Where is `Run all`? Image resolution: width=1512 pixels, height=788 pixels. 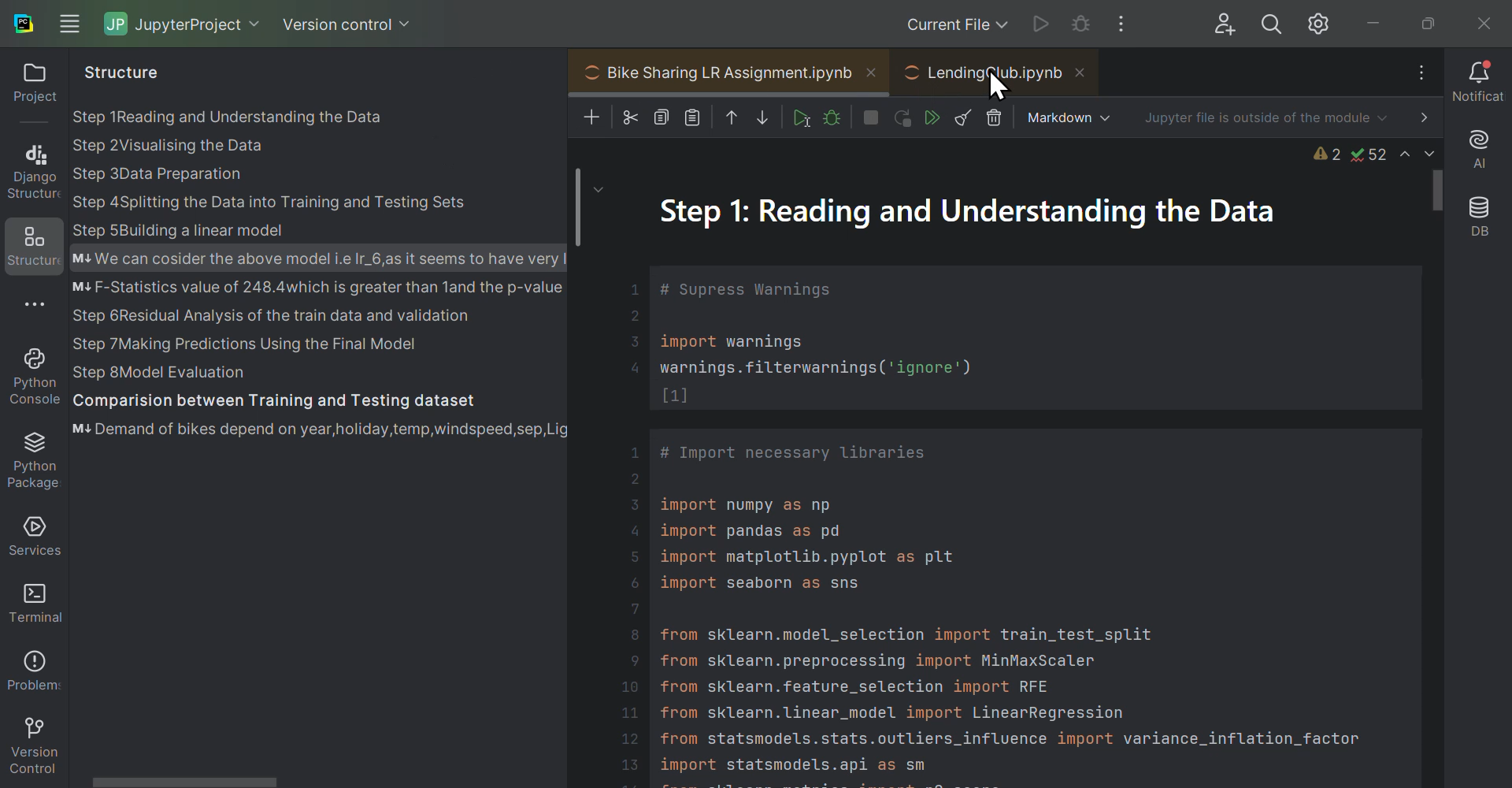
Run all is located at coordinates (932, 117).